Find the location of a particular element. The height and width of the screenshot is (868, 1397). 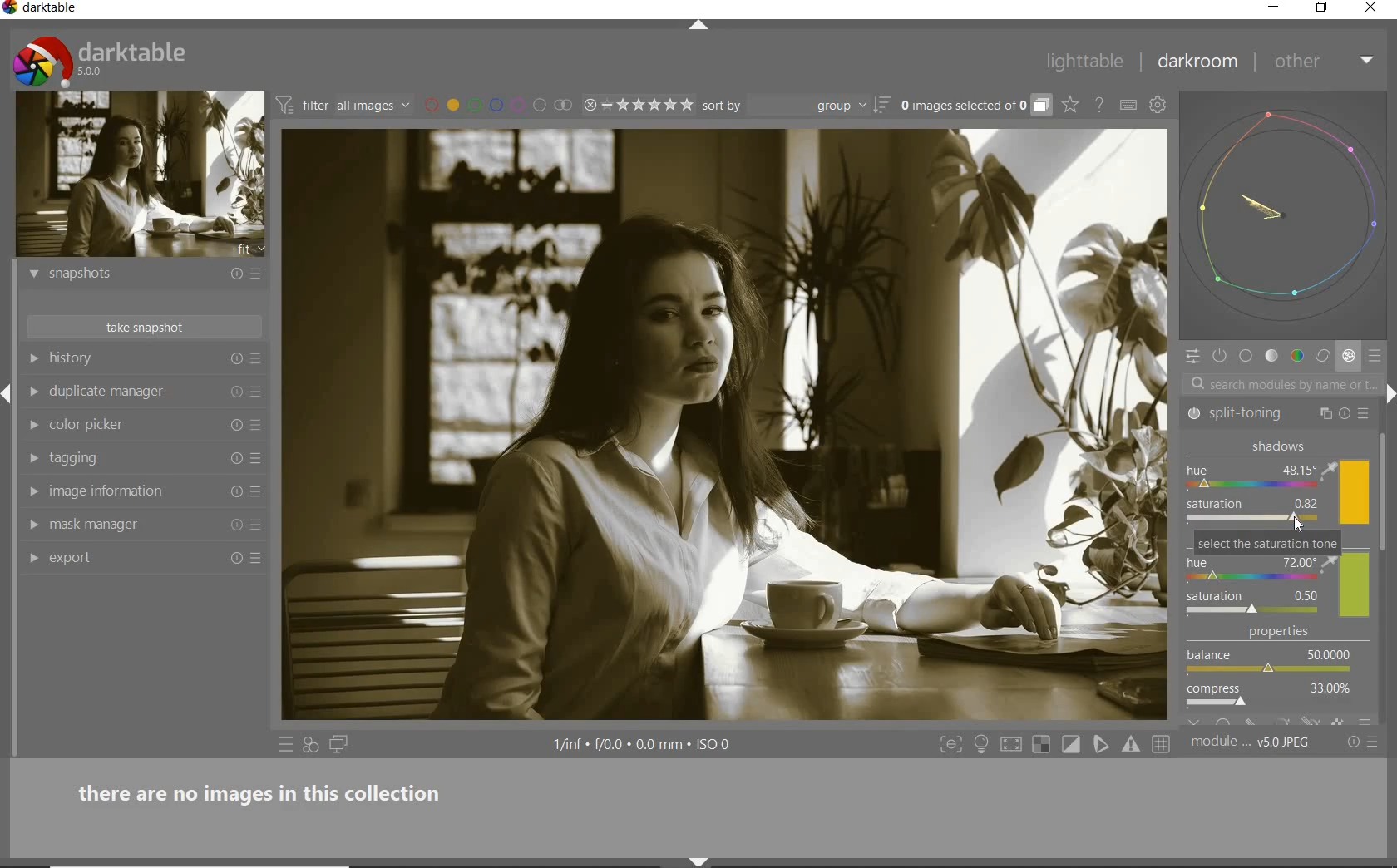

preset and preferences is located at coordinates (257, 392).